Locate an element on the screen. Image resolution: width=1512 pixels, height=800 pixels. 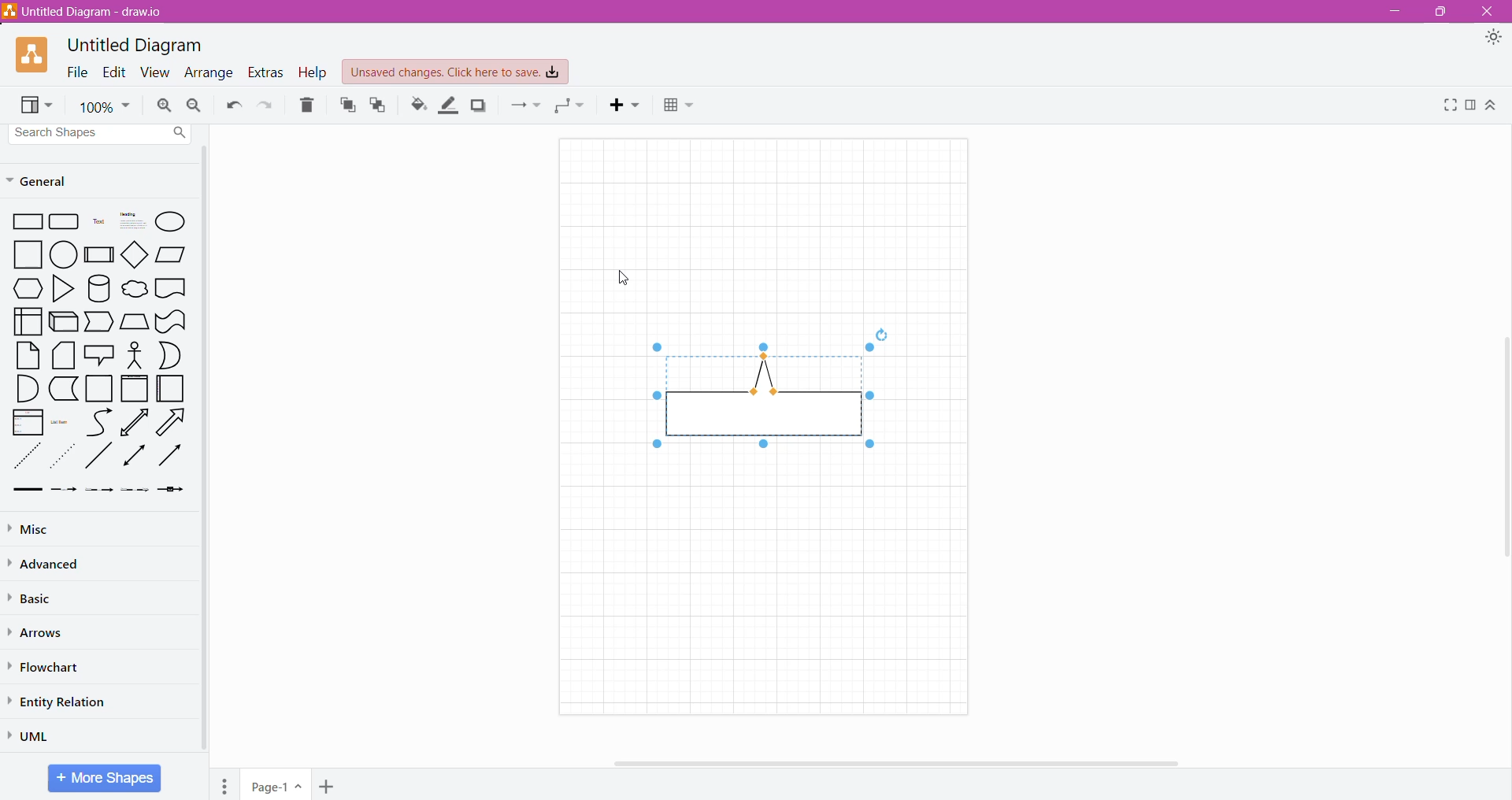
Thick line is located at coordinates (28, 491).